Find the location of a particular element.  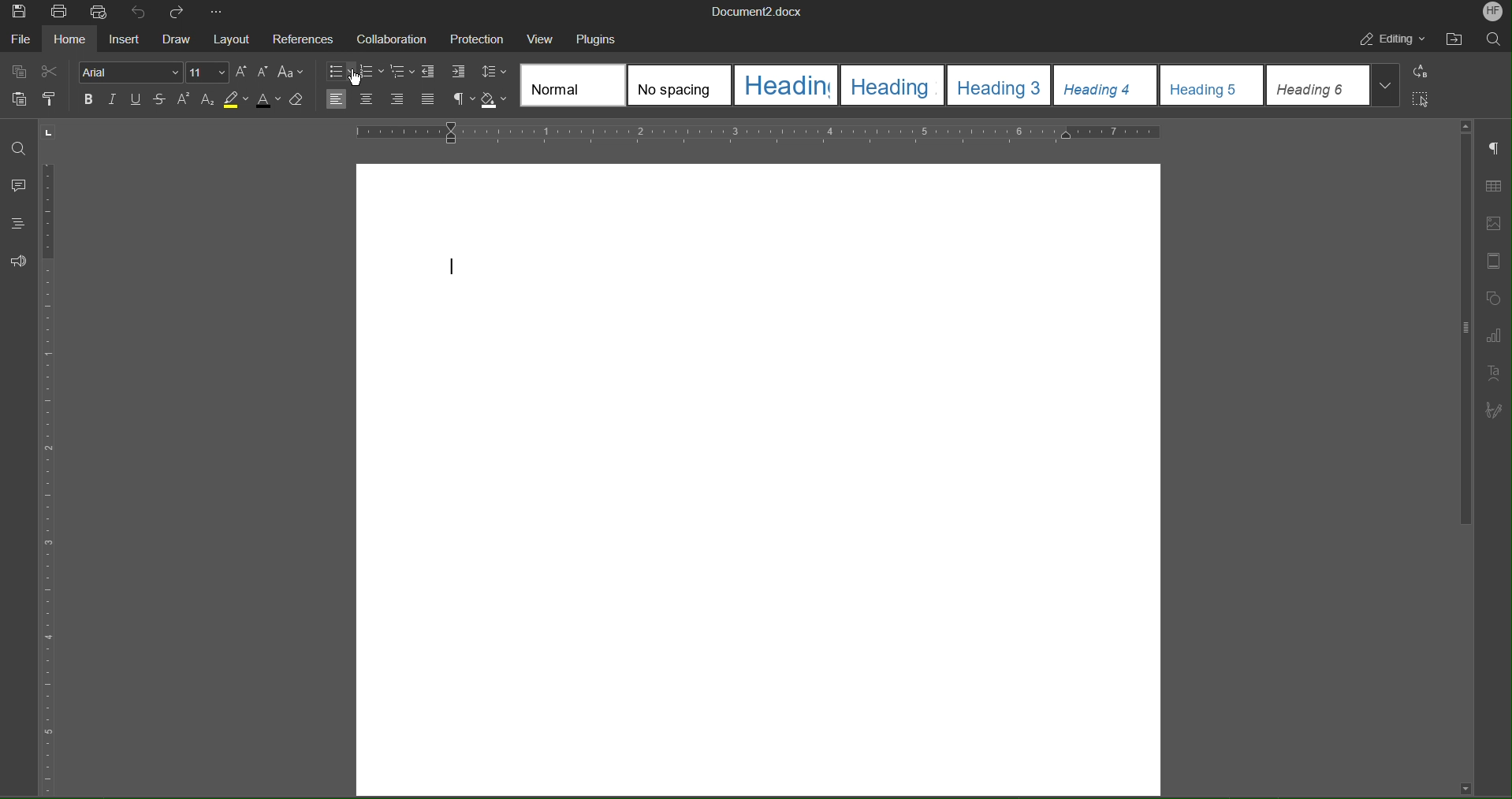

Decrease Size is located at coordinates (266, 72).